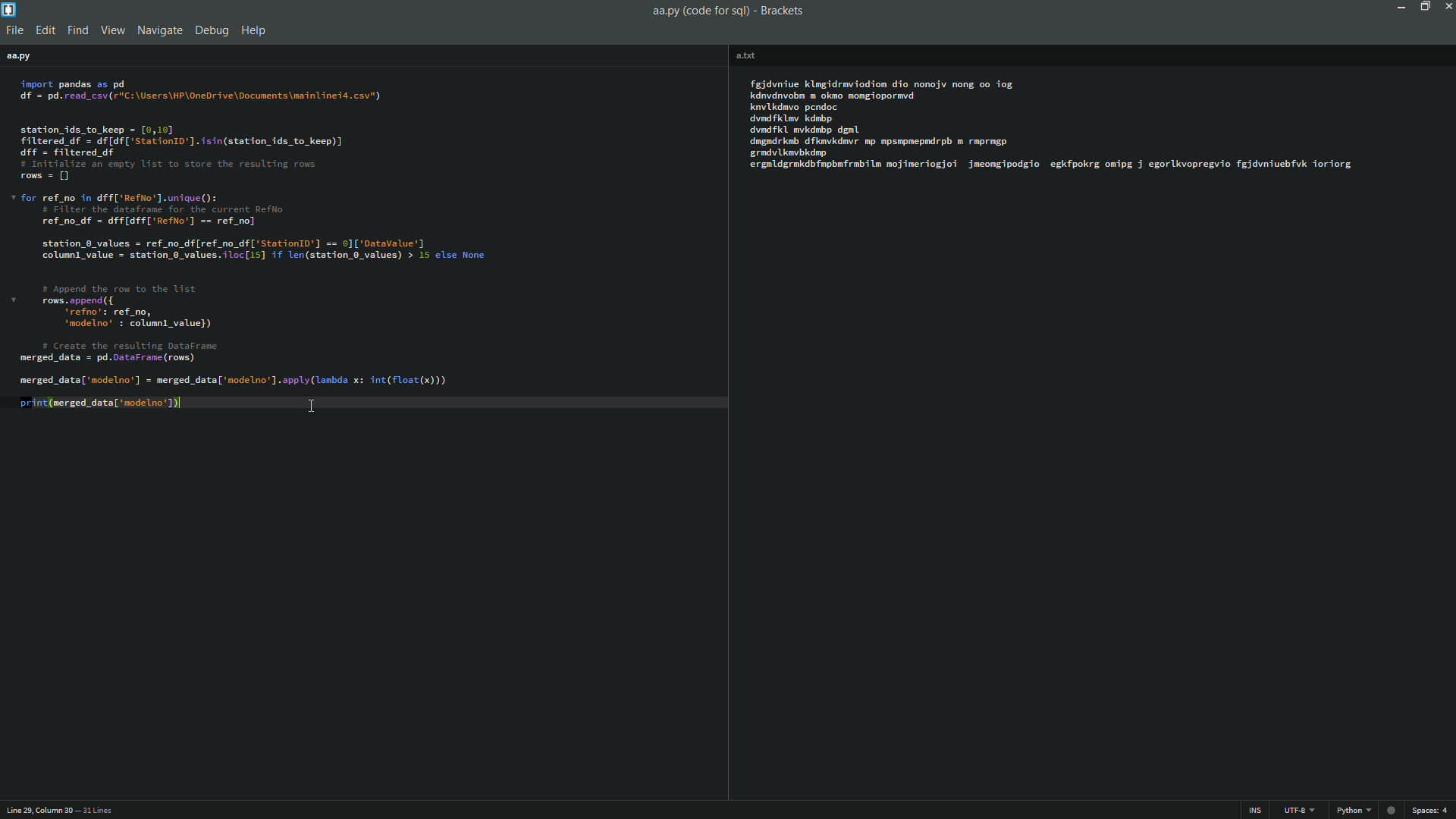  I want to click on minimize, so click(1402, 7).